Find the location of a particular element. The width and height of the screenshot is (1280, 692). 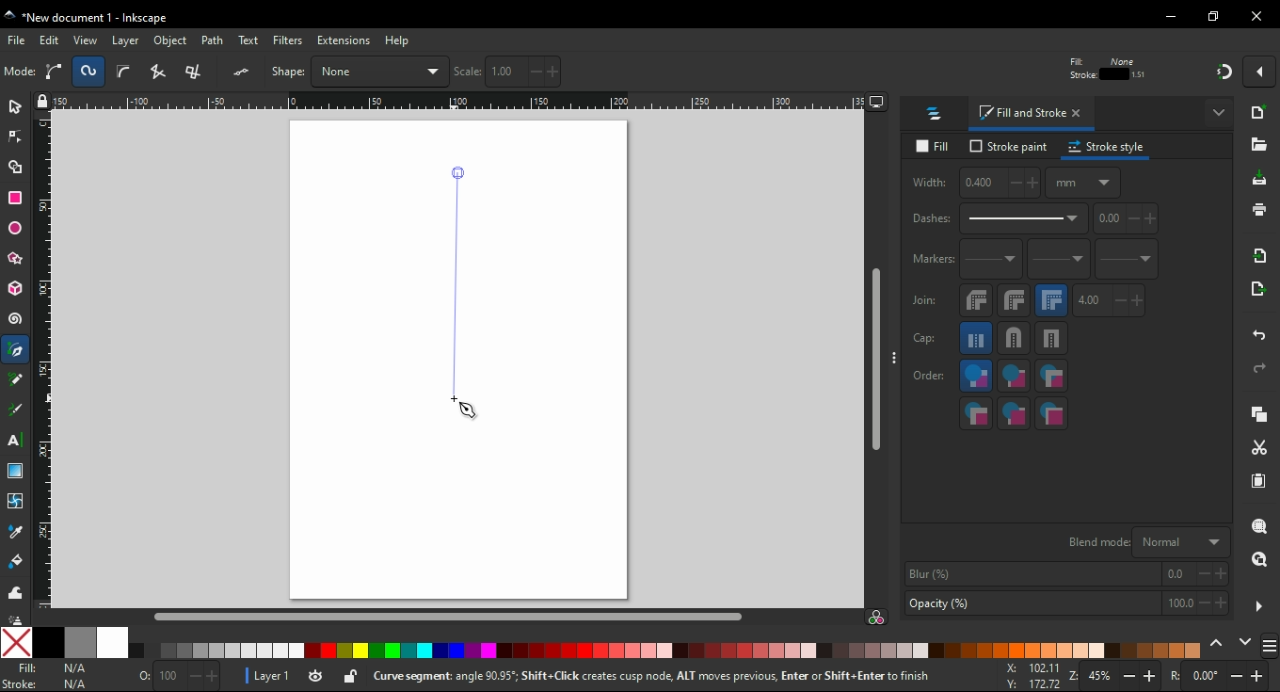

measurement unit is located at coordinates (1012, 71).